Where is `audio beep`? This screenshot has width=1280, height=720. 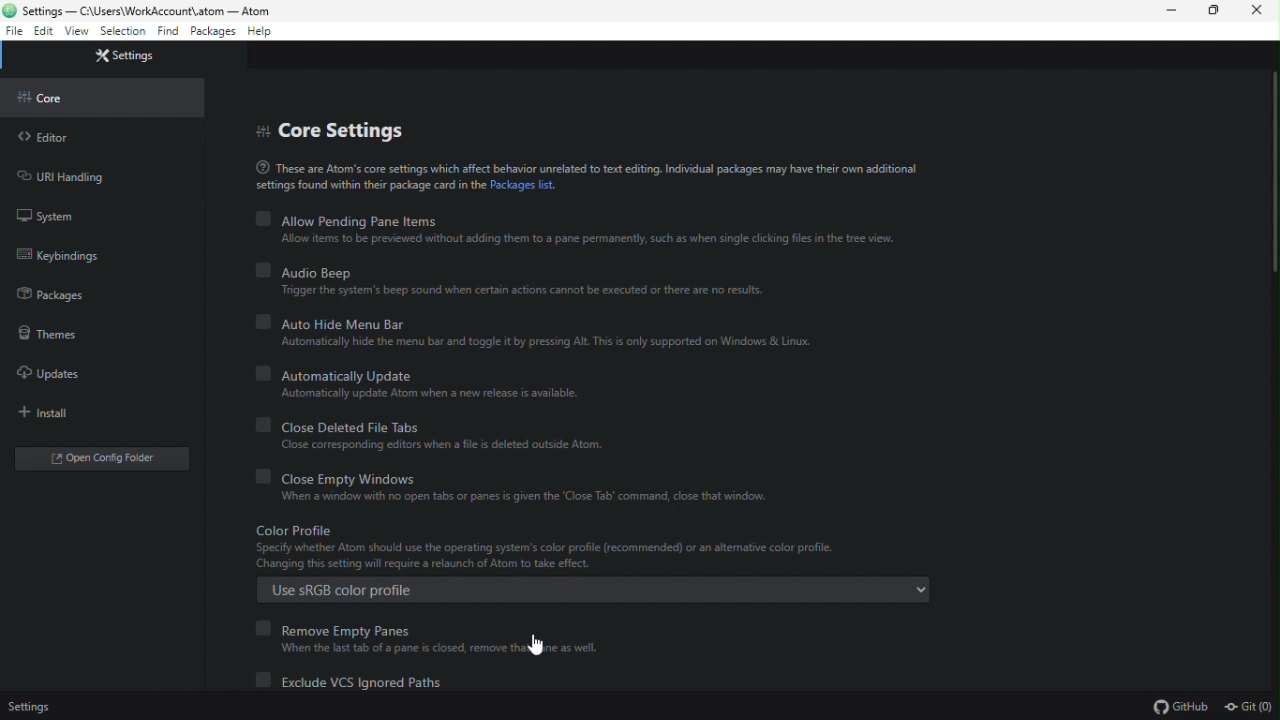 audio beep is located at coordinates (510, 280).